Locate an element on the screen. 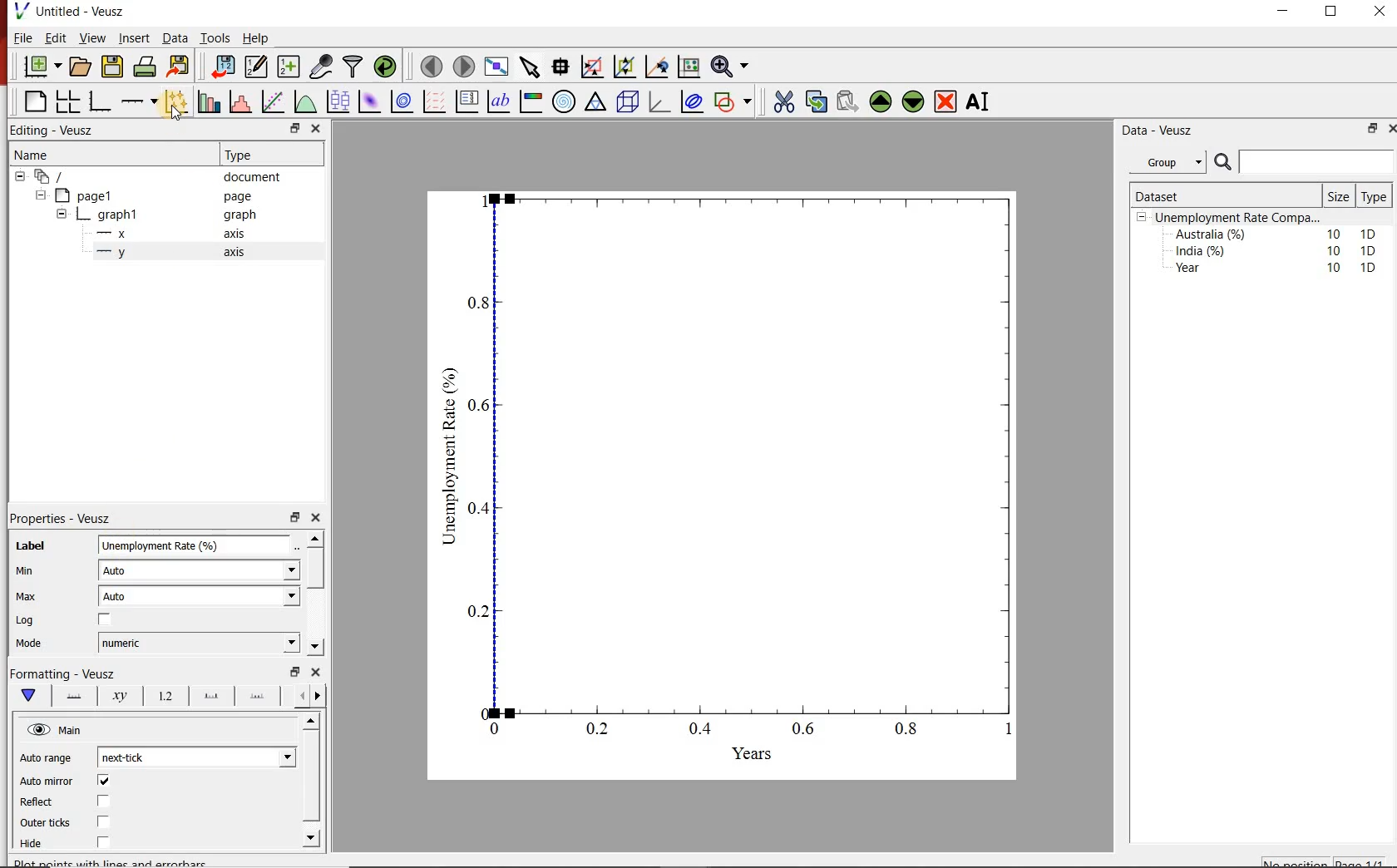 This screenshot has width=1397, height=868. text label is located at coordinates (499, 101).